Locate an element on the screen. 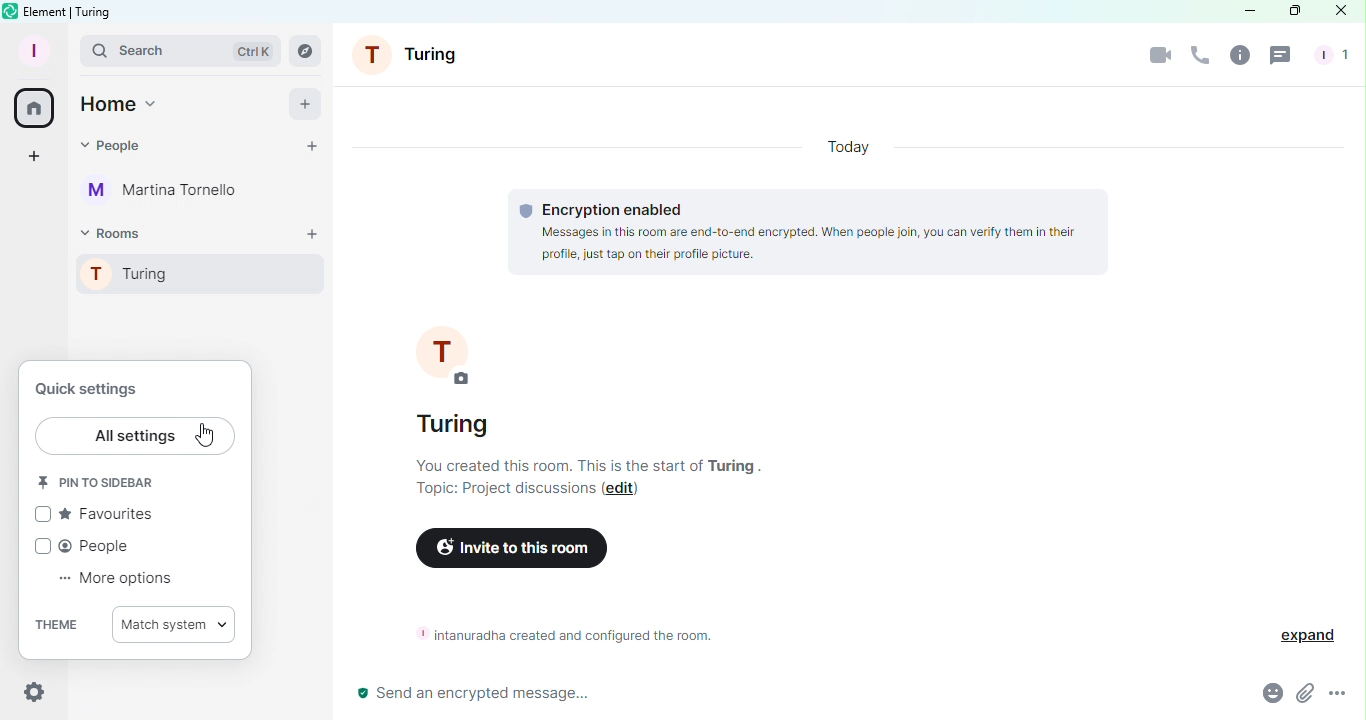 Image resolution: width=1366 pixels, height=720 pixels. Theme is located at coordinates (52, 625).